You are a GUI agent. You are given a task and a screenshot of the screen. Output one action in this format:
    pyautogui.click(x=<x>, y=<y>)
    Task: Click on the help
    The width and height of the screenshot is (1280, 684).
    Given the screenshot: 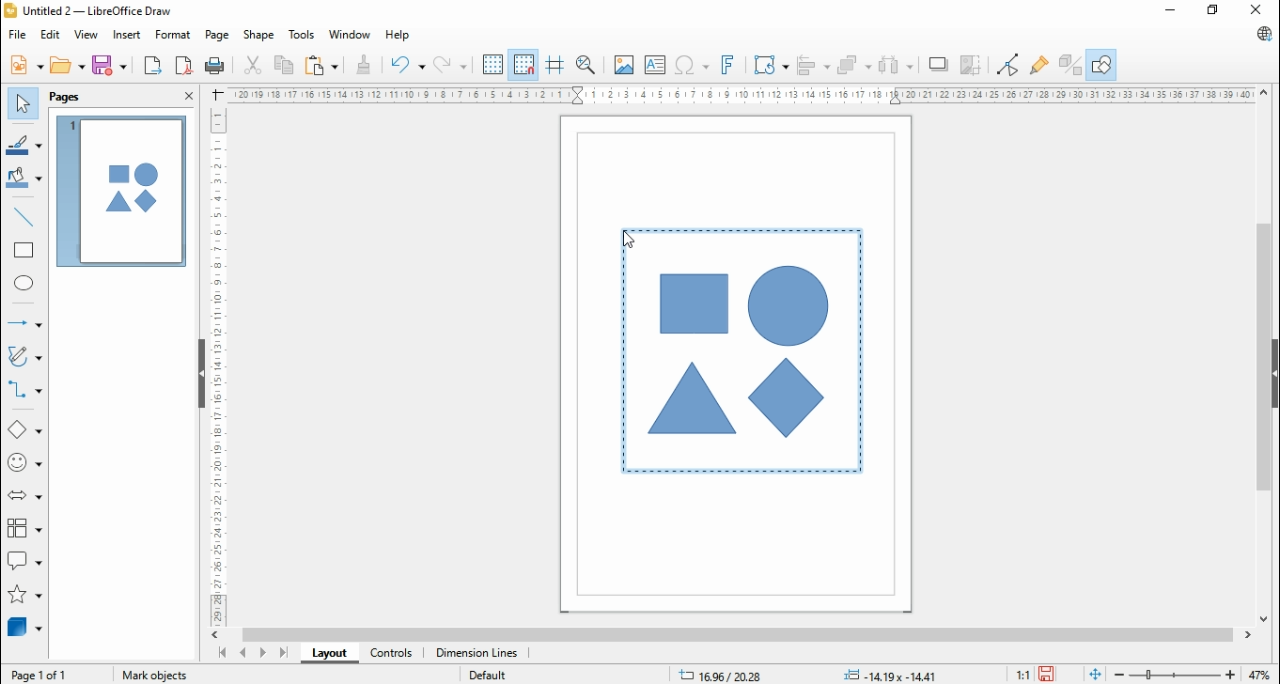 What is the action you would take?
    pyautogui.click(x=397, y=36)
    